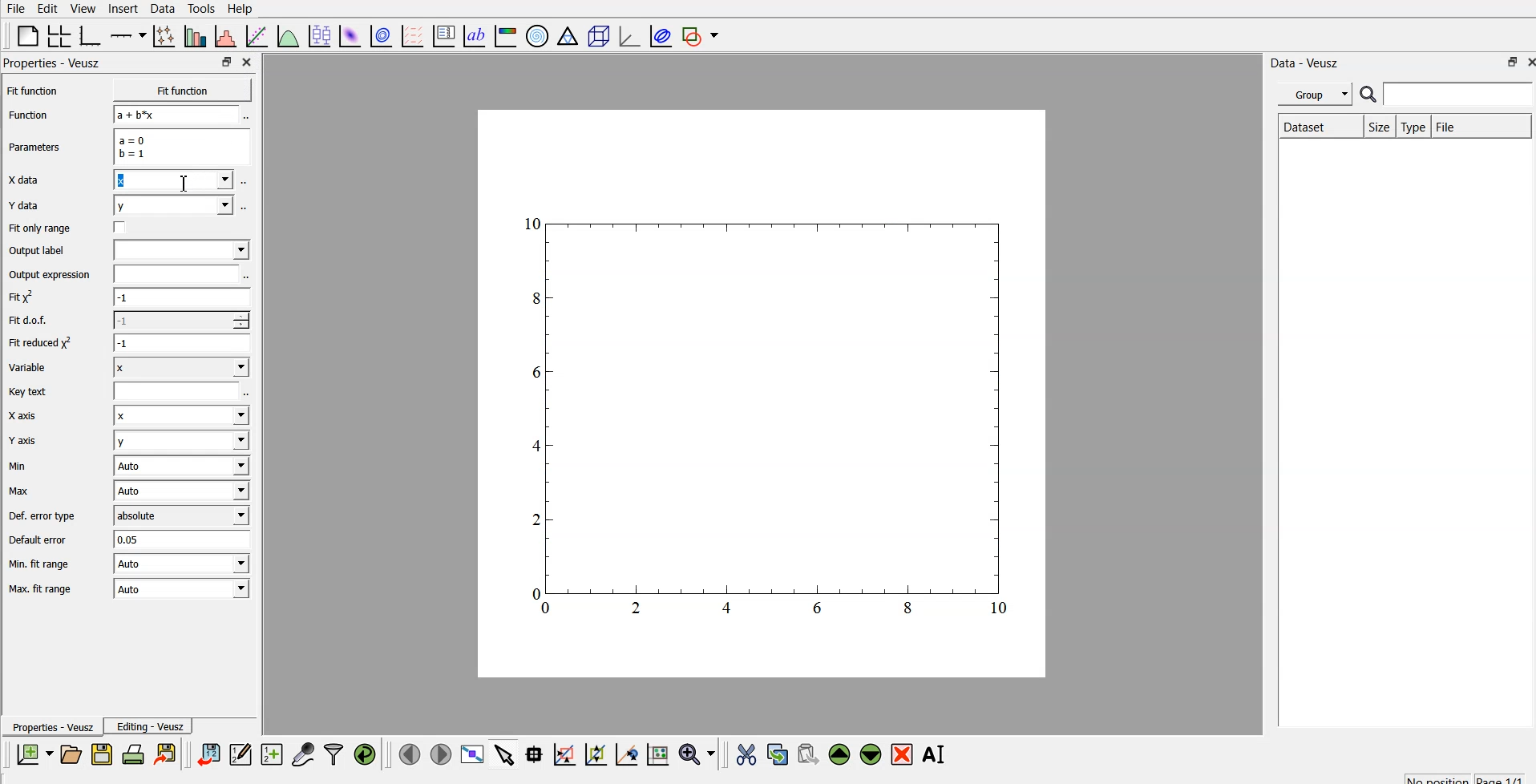 The height and width of the screenshot is (784, 1536). What do you see at coordinates (224, 63) in the screenshot?
I see `restore down` at bounding box center [224, 63].